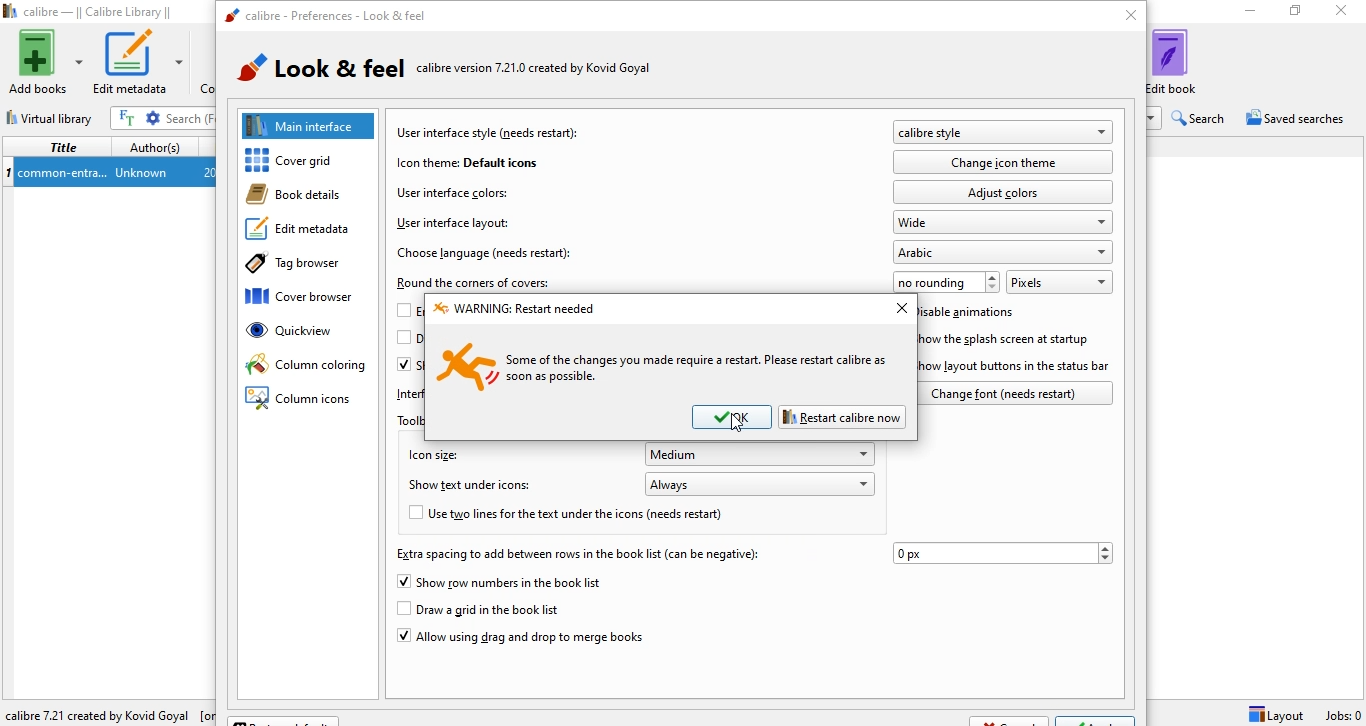  Describe the element at coordinates (761, 483) in the screenshot. I see `always` at that location.